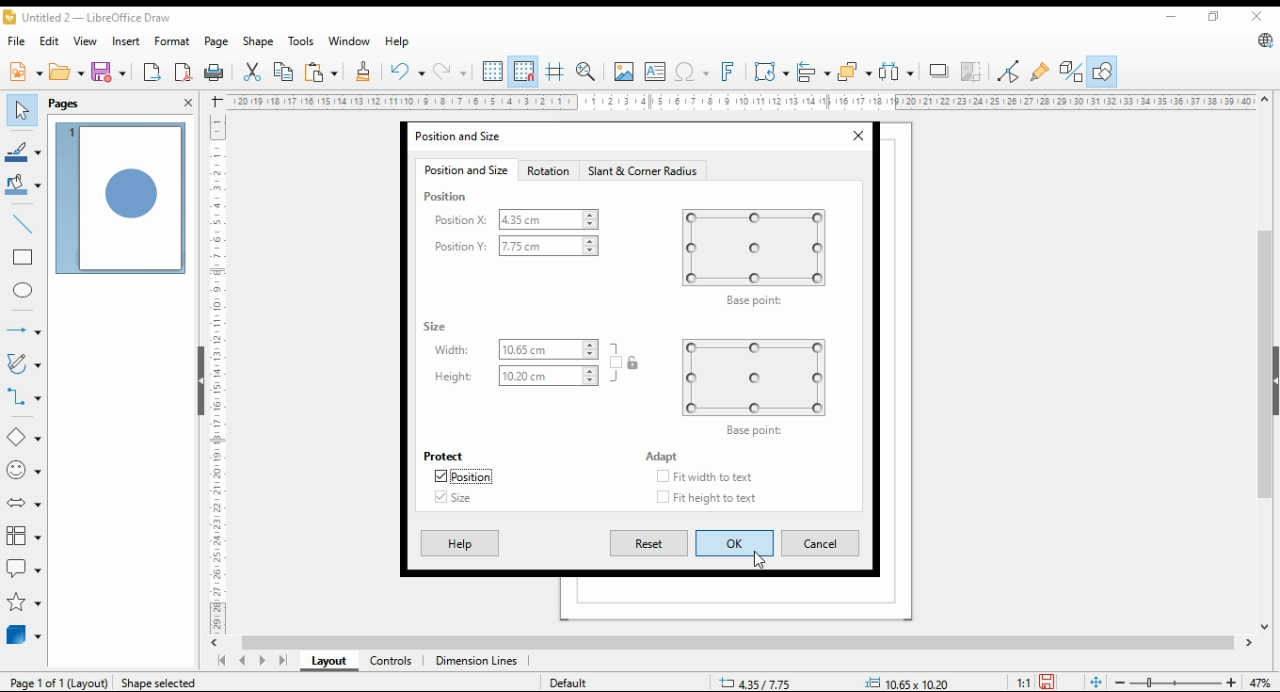 The width and height of the screenshot is (1280, 692). I want to click on stars and banners, so click(23, 601).